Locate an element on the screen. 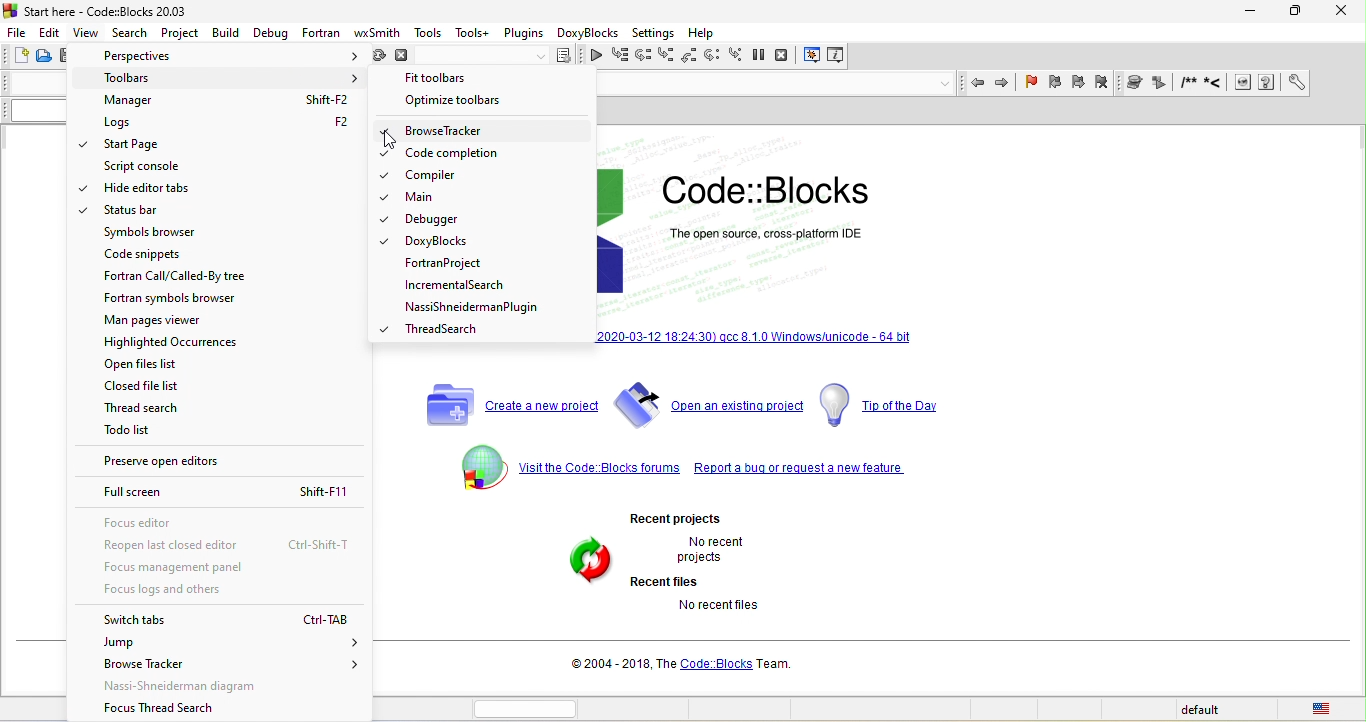 The width and height of the screenshot is (1366, 722). start here-code blocks-2023 is located at coordinates (117, 11).